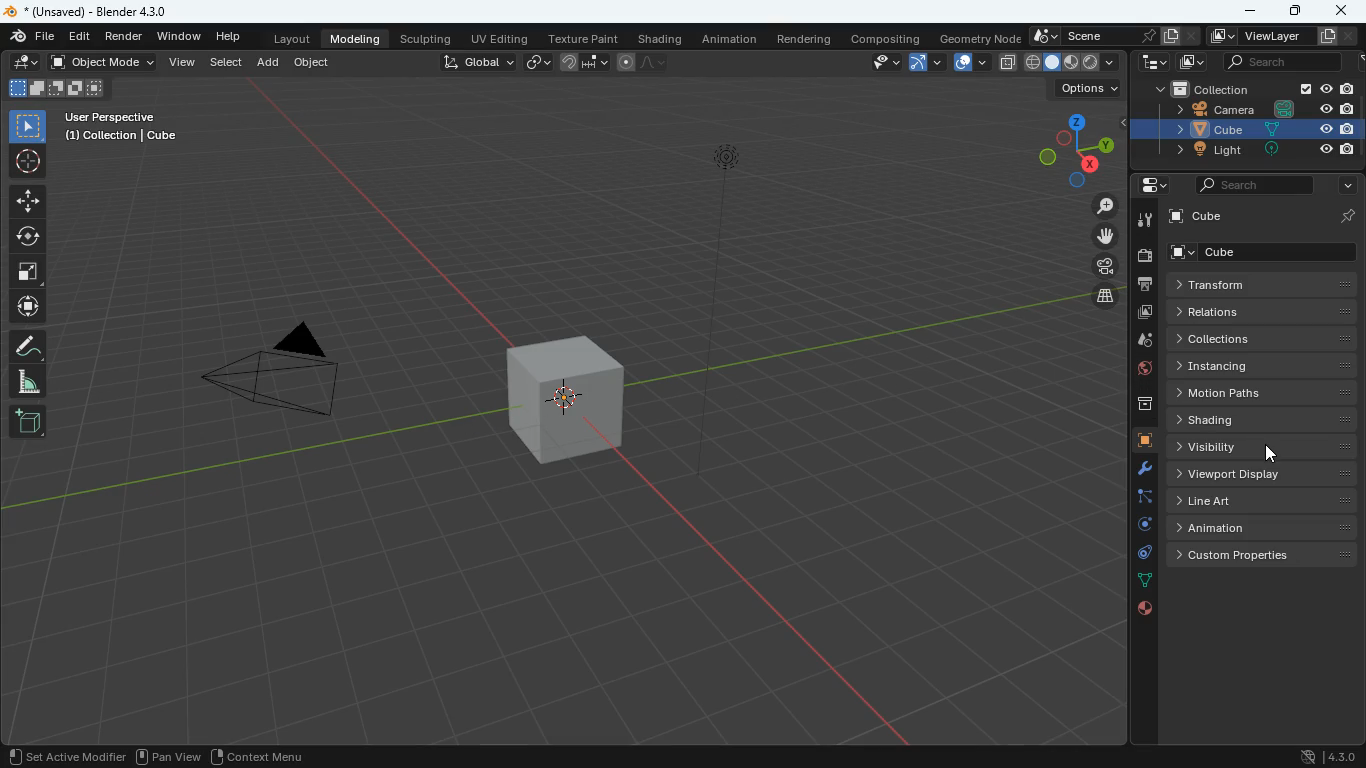 The height and width of the screenshot is (768, 1366). What do you see at coordinates (112, 10) in the screenshot?
I see `blender` at bounding box center [112, 10].